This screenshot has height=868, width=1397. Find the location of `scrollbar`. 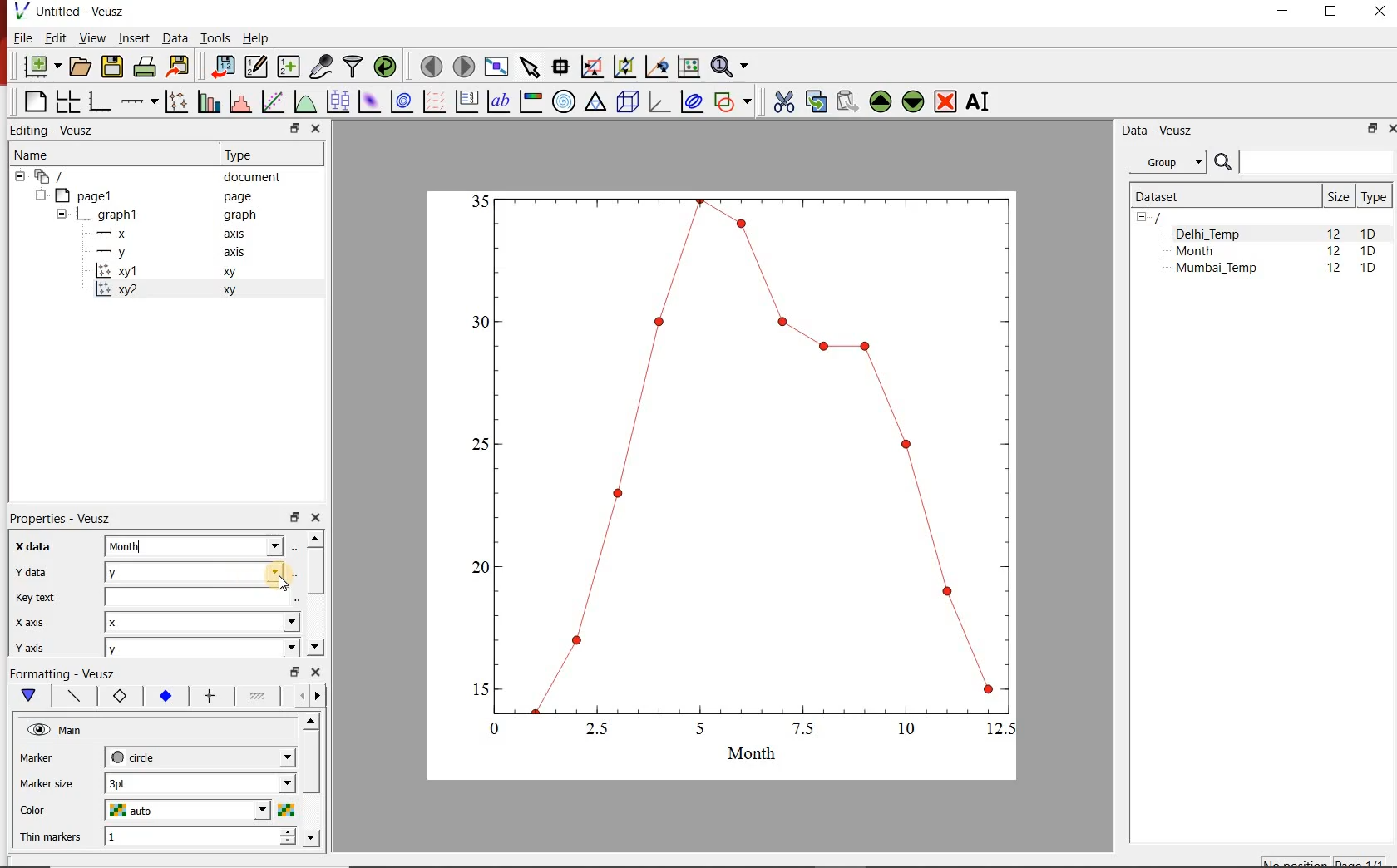

scrollbar is located at coordinates (314, 594).